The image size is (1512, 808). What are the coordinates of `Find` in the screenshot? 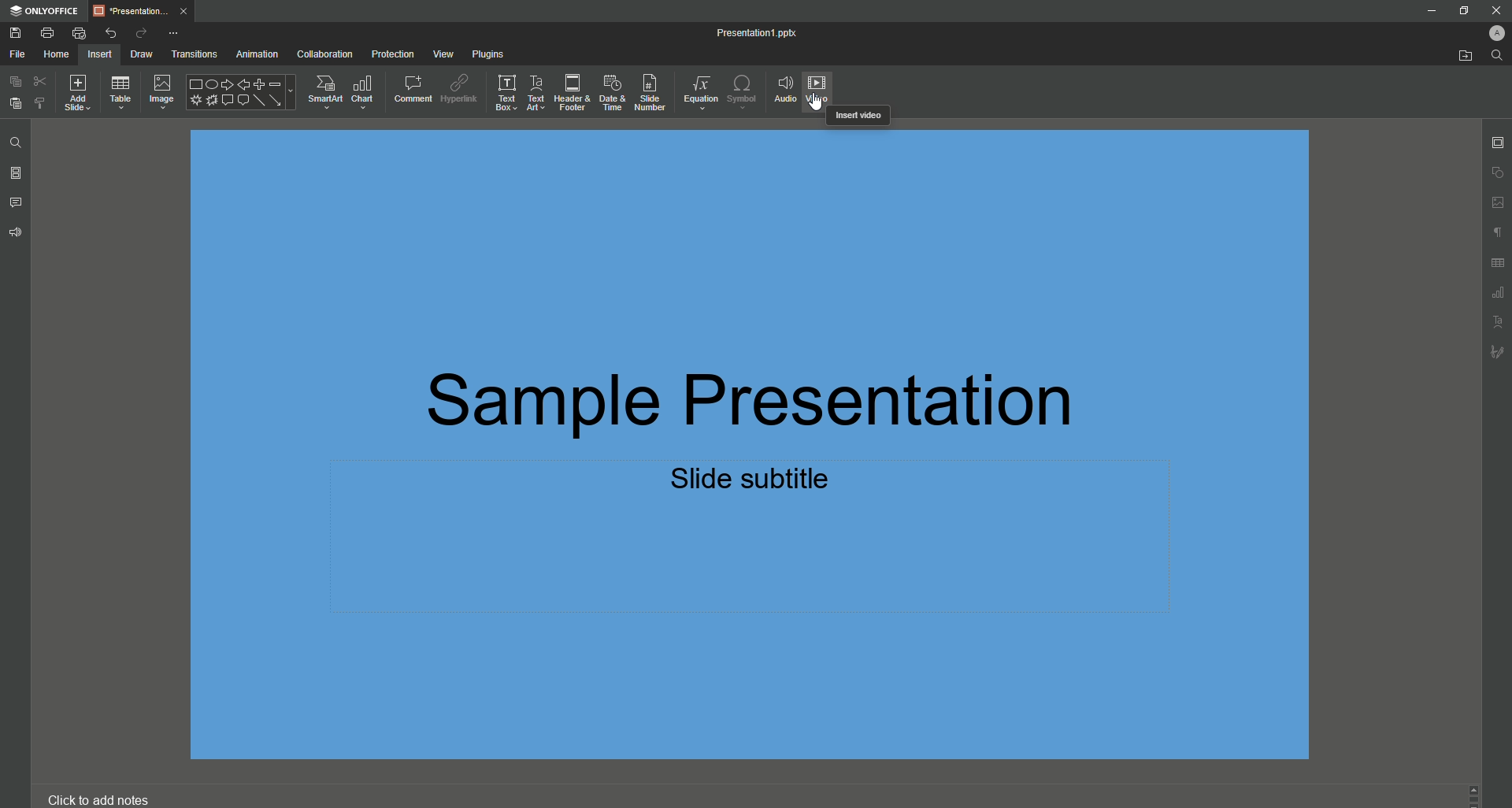 It's located at (1497, 56).